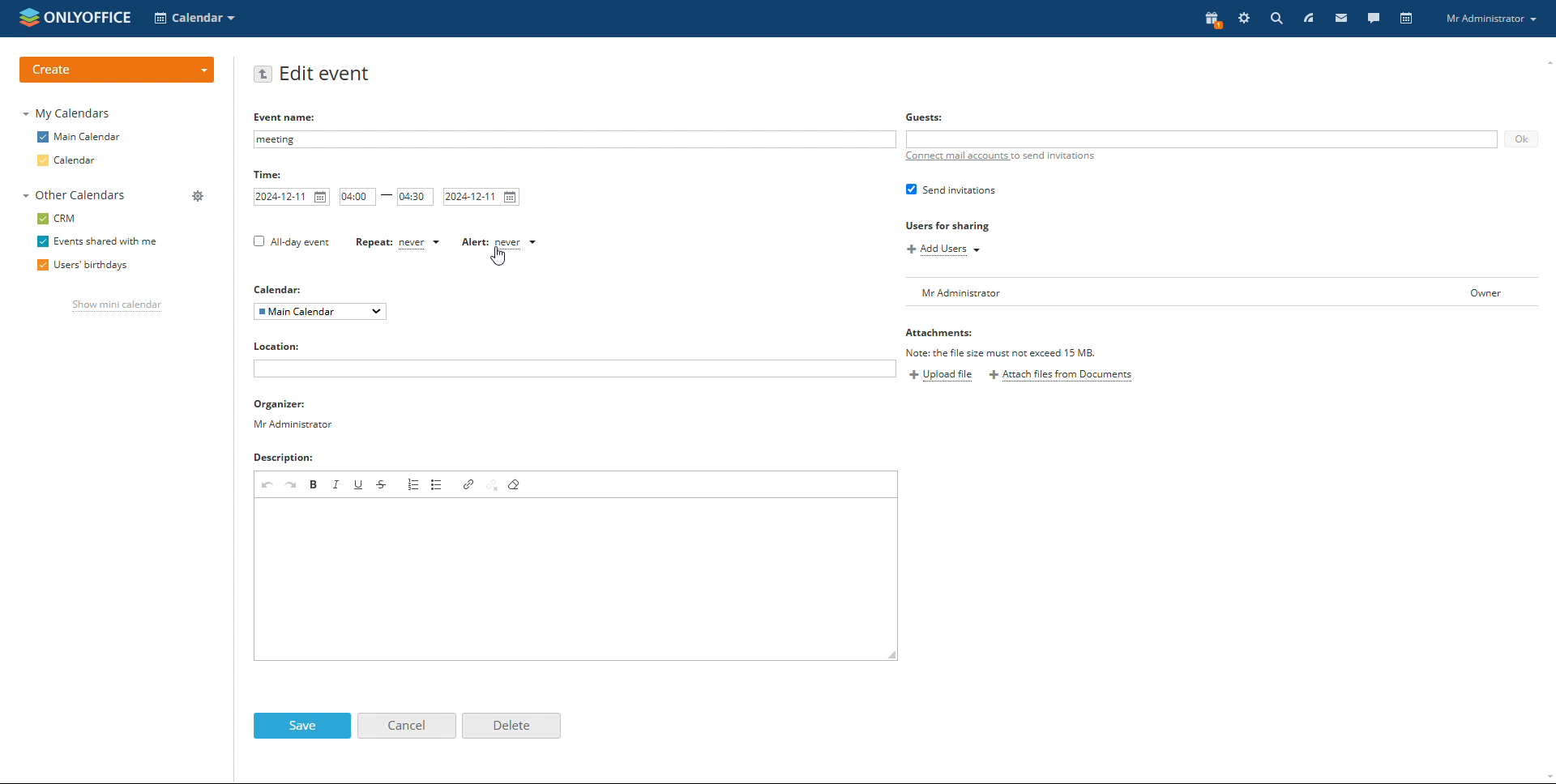  What do you see at coordinates (118, 306) in the screenshot?
I see `show mini calendar` at bounding box center [118, 306].